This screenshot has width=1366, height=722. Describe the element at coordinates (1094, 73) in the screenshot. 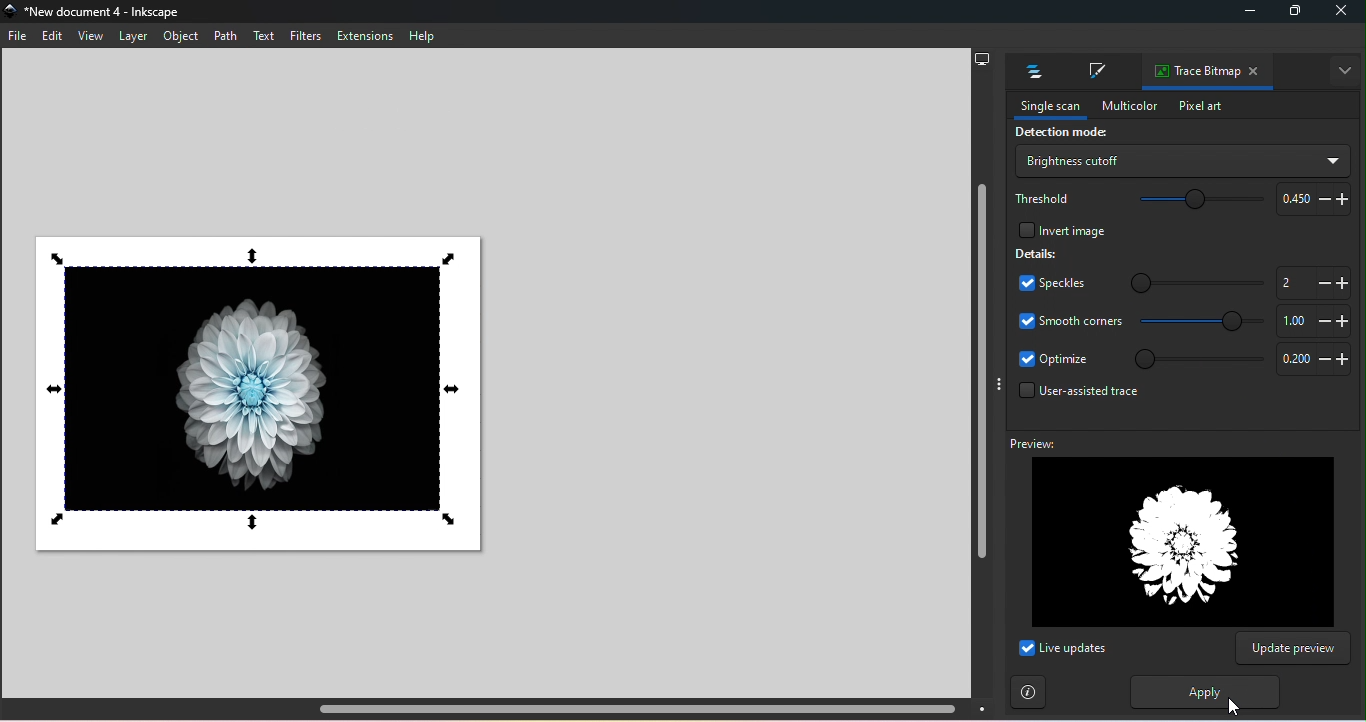

I see `Fill and stroke` at that location.